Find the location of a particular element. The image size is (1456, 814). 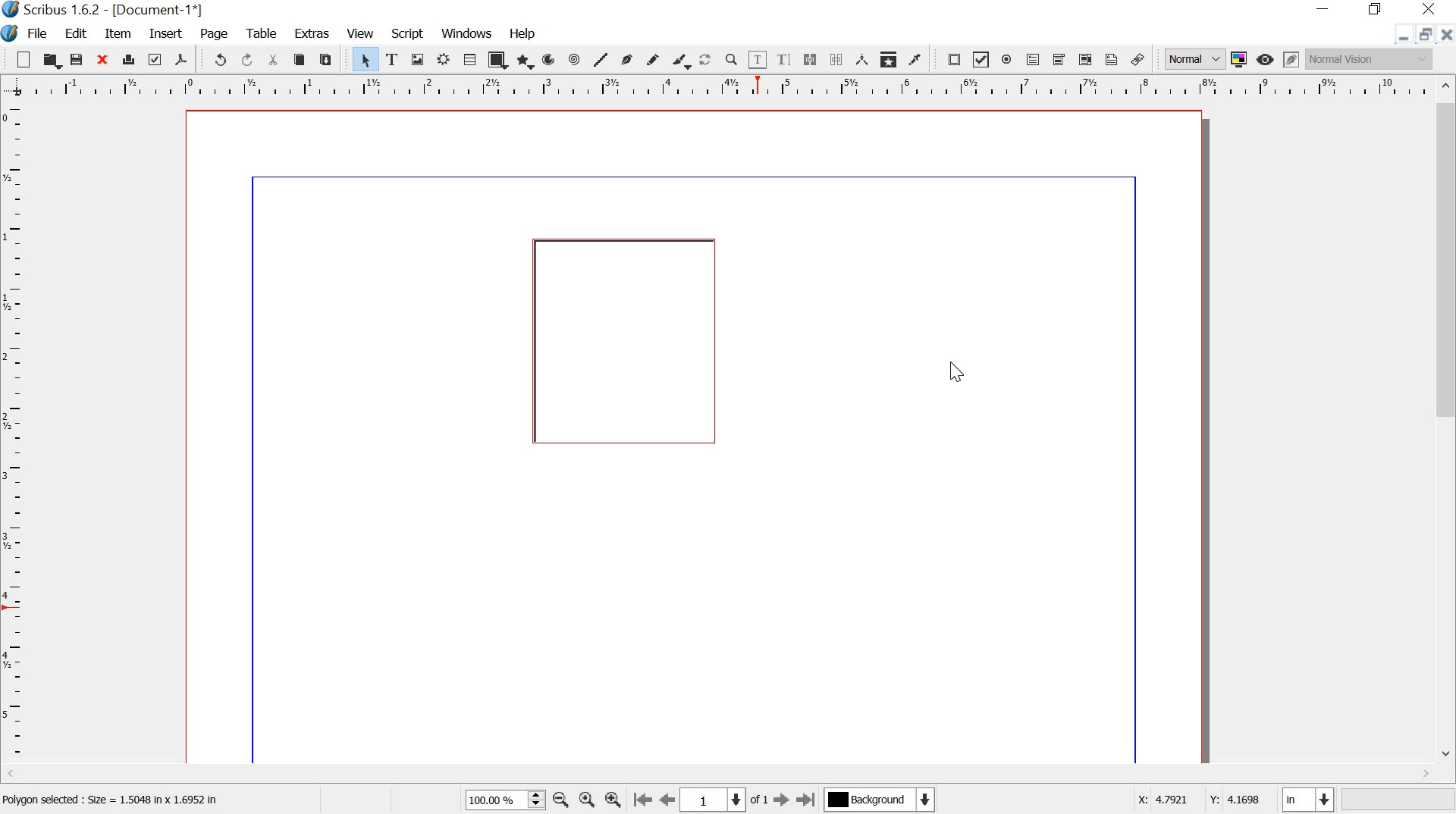

edit text with story editor is located at coordinates (783, 58).